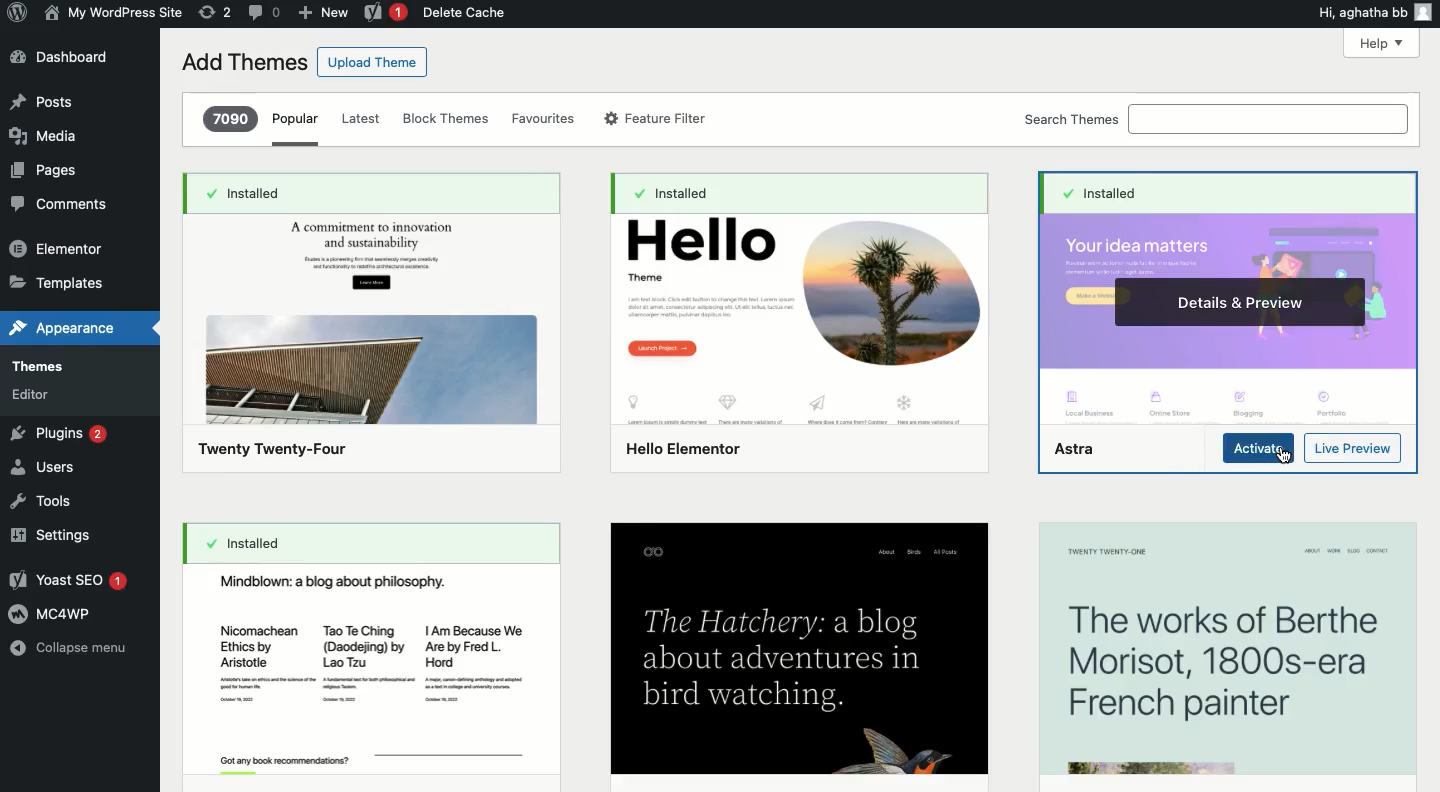 This screenshot has height=792, width=1440. What do you see at coordinates (43, 100) in the screenshot?
I see `Post` at bounding box center [43, 100].